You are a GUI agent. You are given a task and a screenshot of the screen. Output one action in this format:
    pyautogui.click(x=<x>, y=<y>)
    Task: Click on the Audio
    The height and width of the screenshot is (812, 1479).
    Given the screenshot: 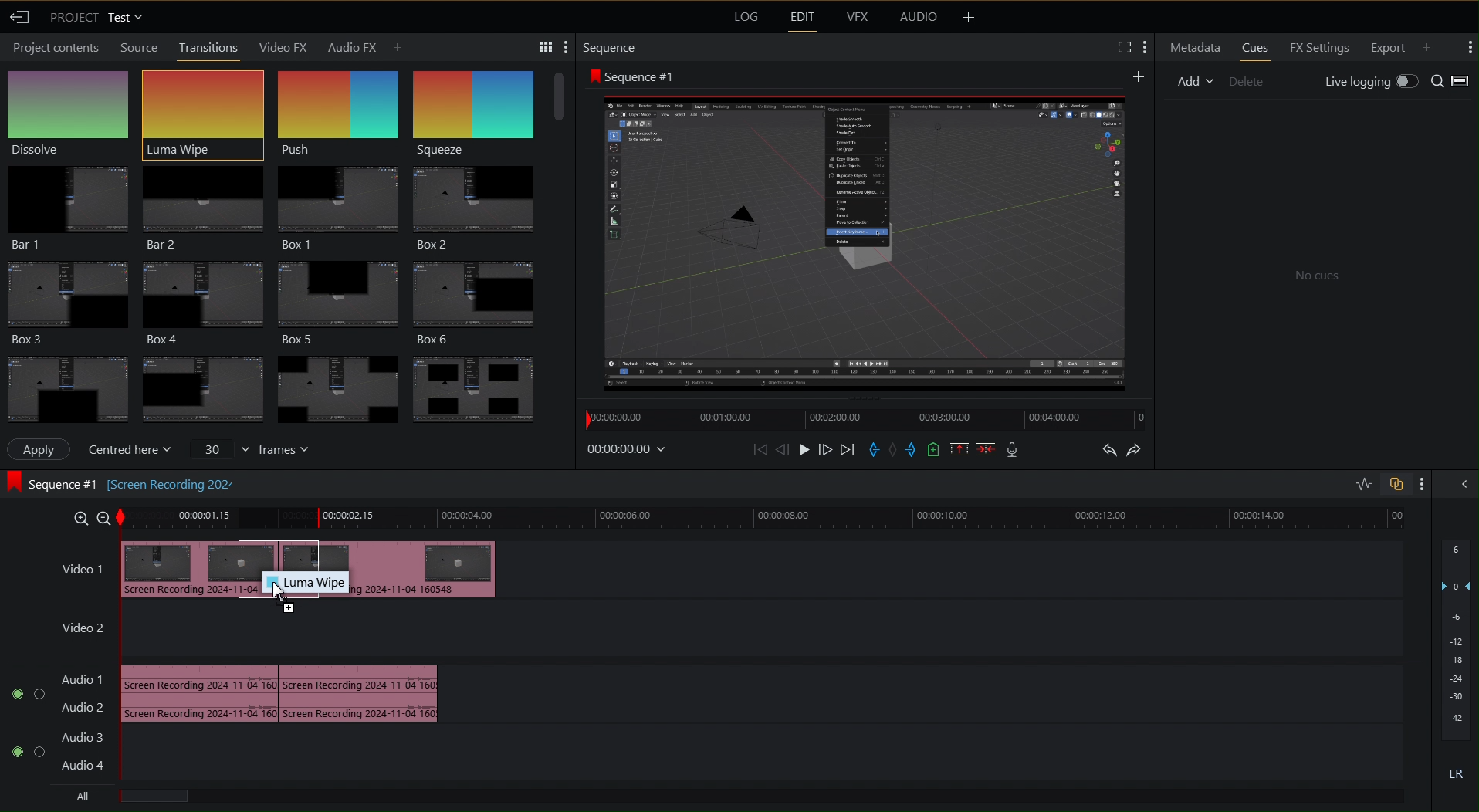 What is the action you would take?
    pyautogui.click(x=919, y=18)
    